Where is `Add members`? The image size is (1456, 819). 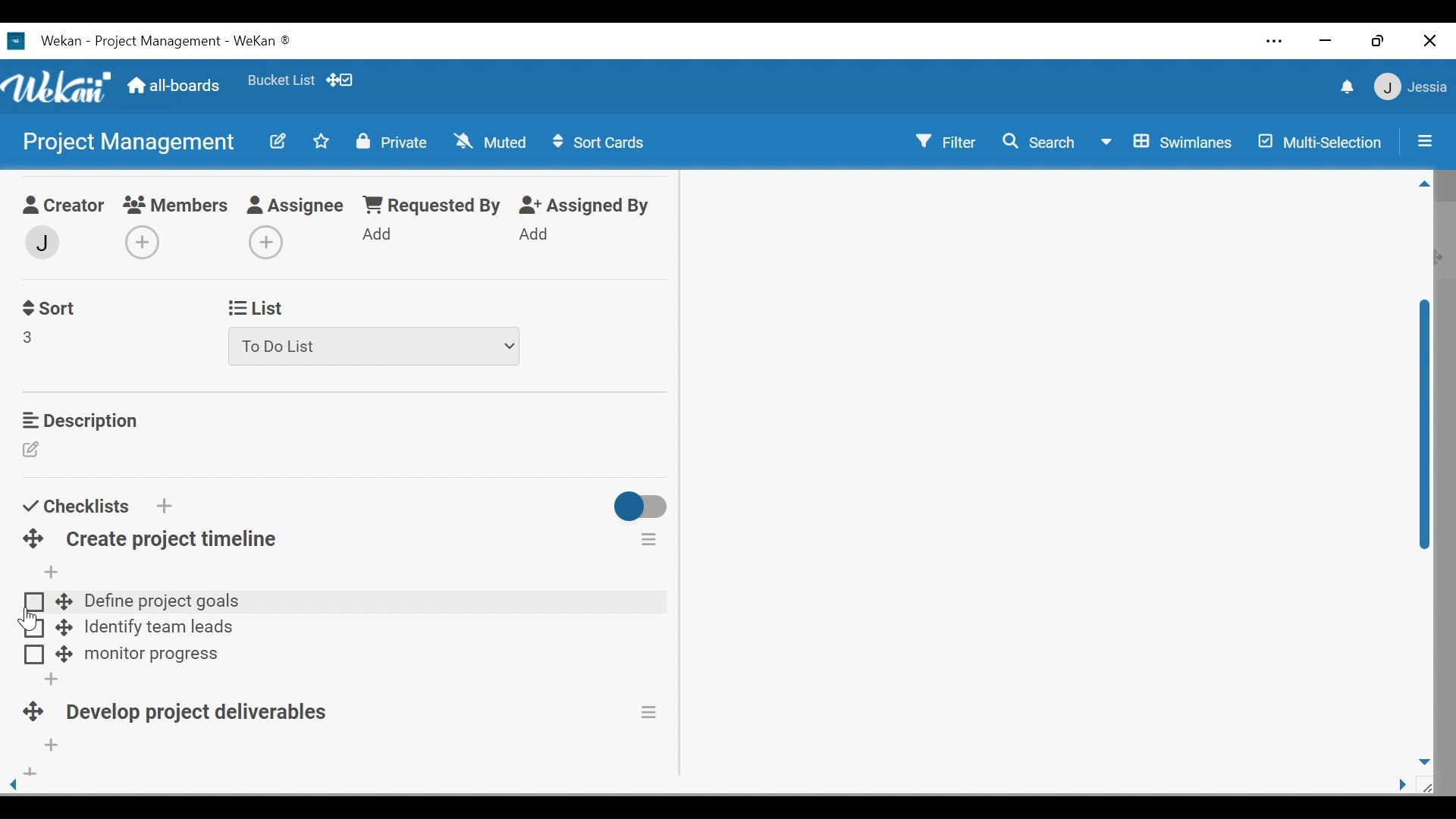 Add members is located at coordinates (147, 244).